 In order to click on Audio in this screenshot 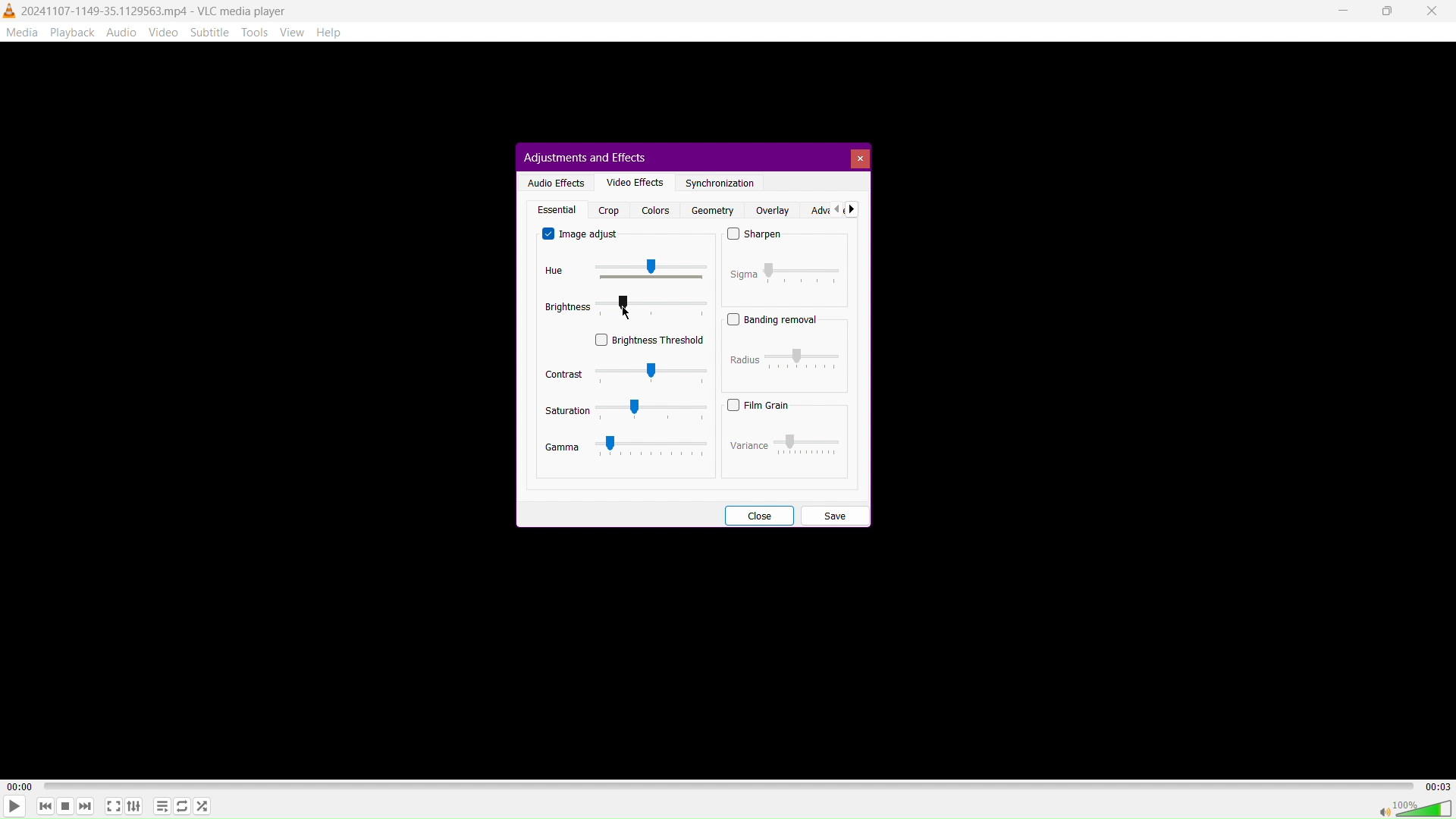, I will do `click(121, 32)`.